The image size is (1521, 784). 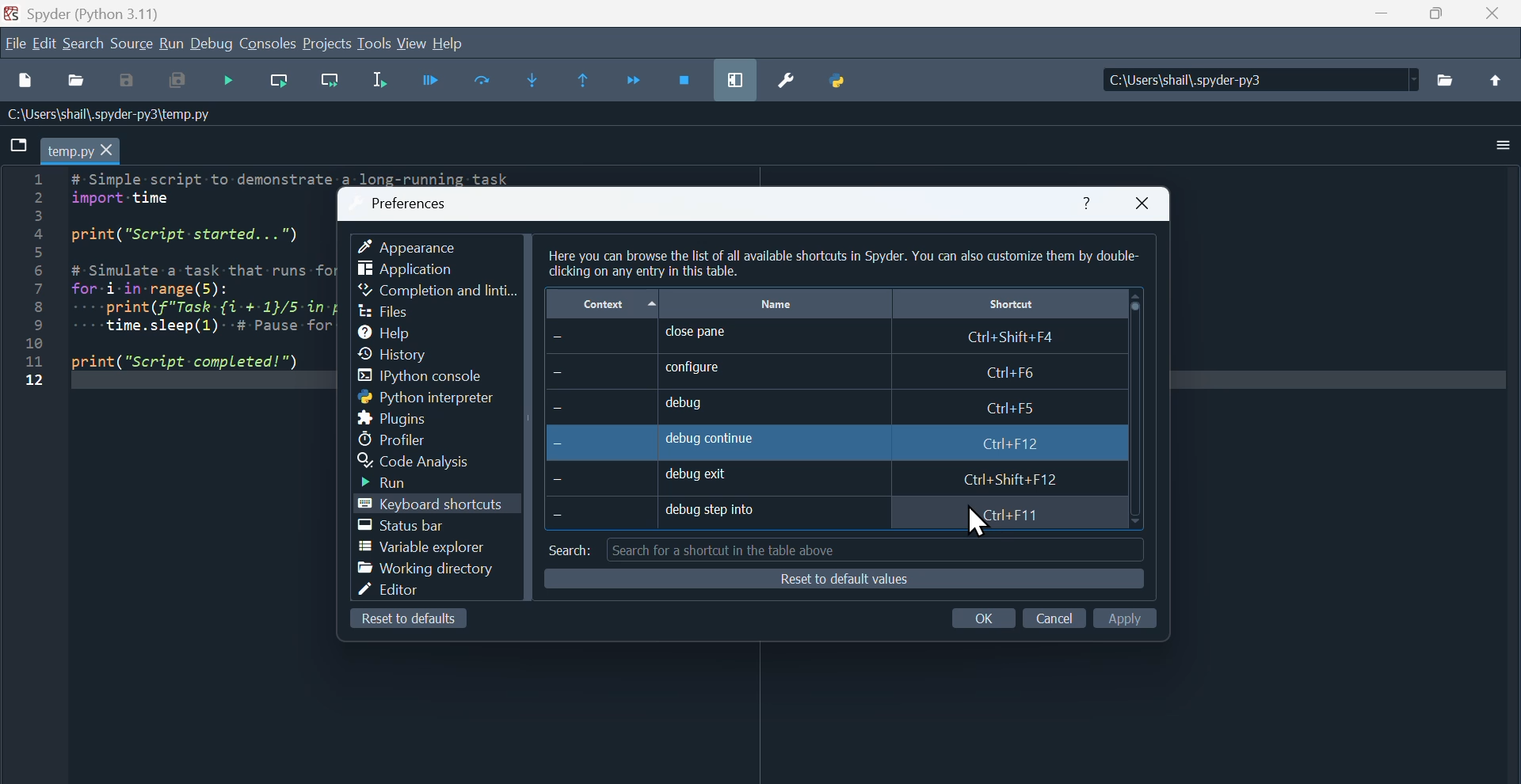 I want to click on Folder, so click(x=1451, y=83).